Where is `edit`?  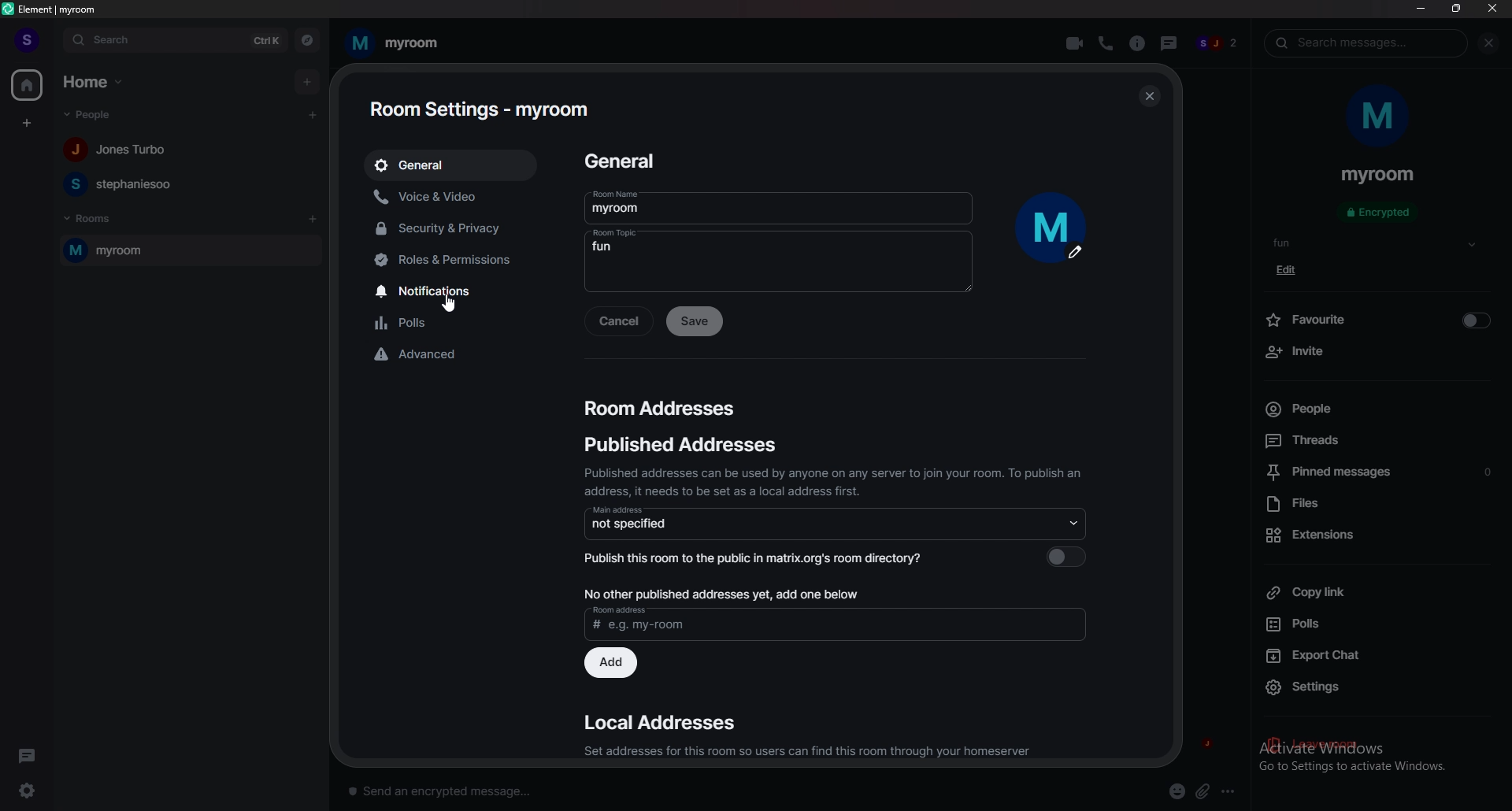
edit is located at coordinates (1291, 270).